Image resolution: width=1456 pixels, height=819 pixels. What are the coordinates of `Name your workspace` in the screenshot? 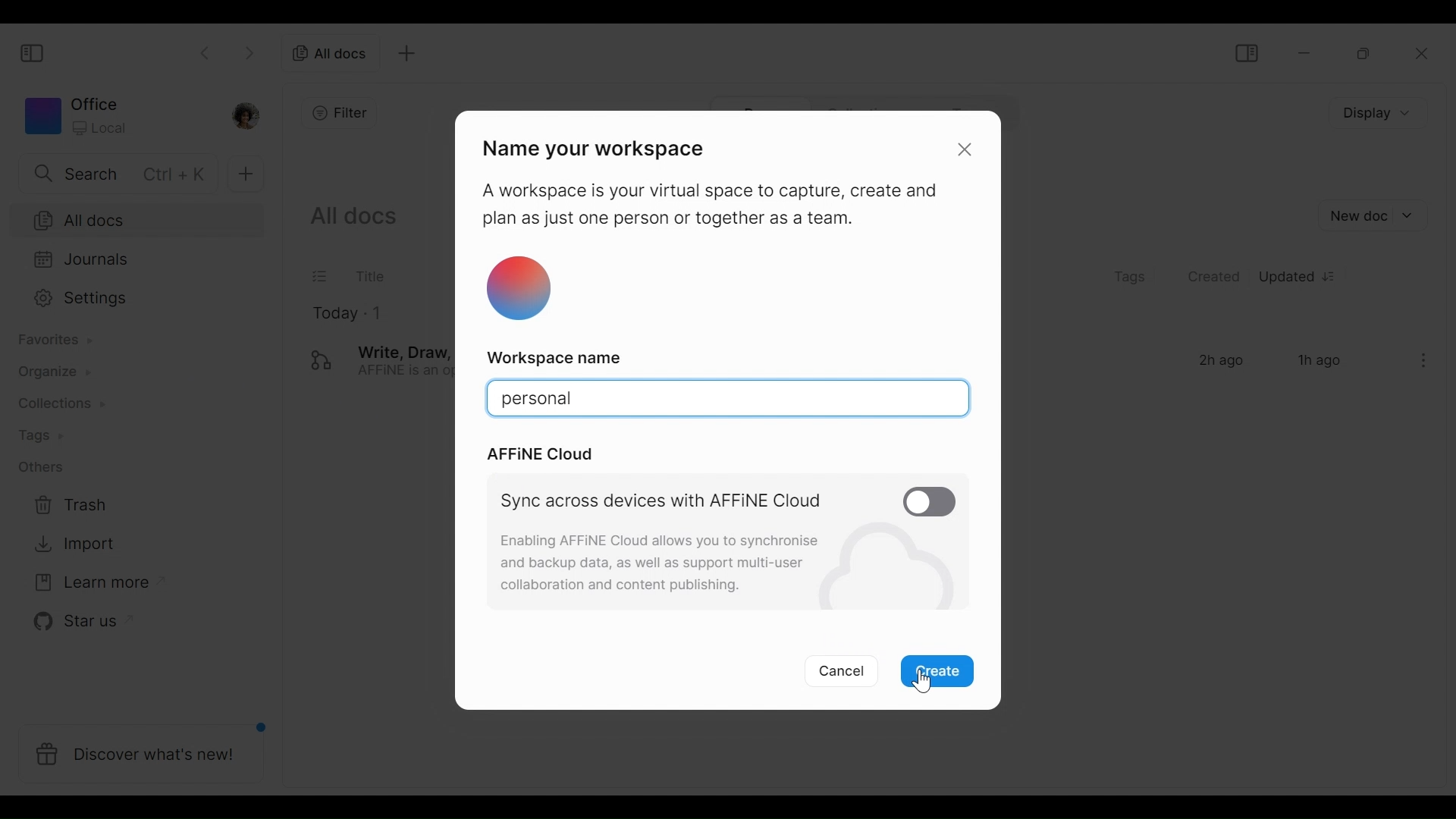 It's located at (604, 149).